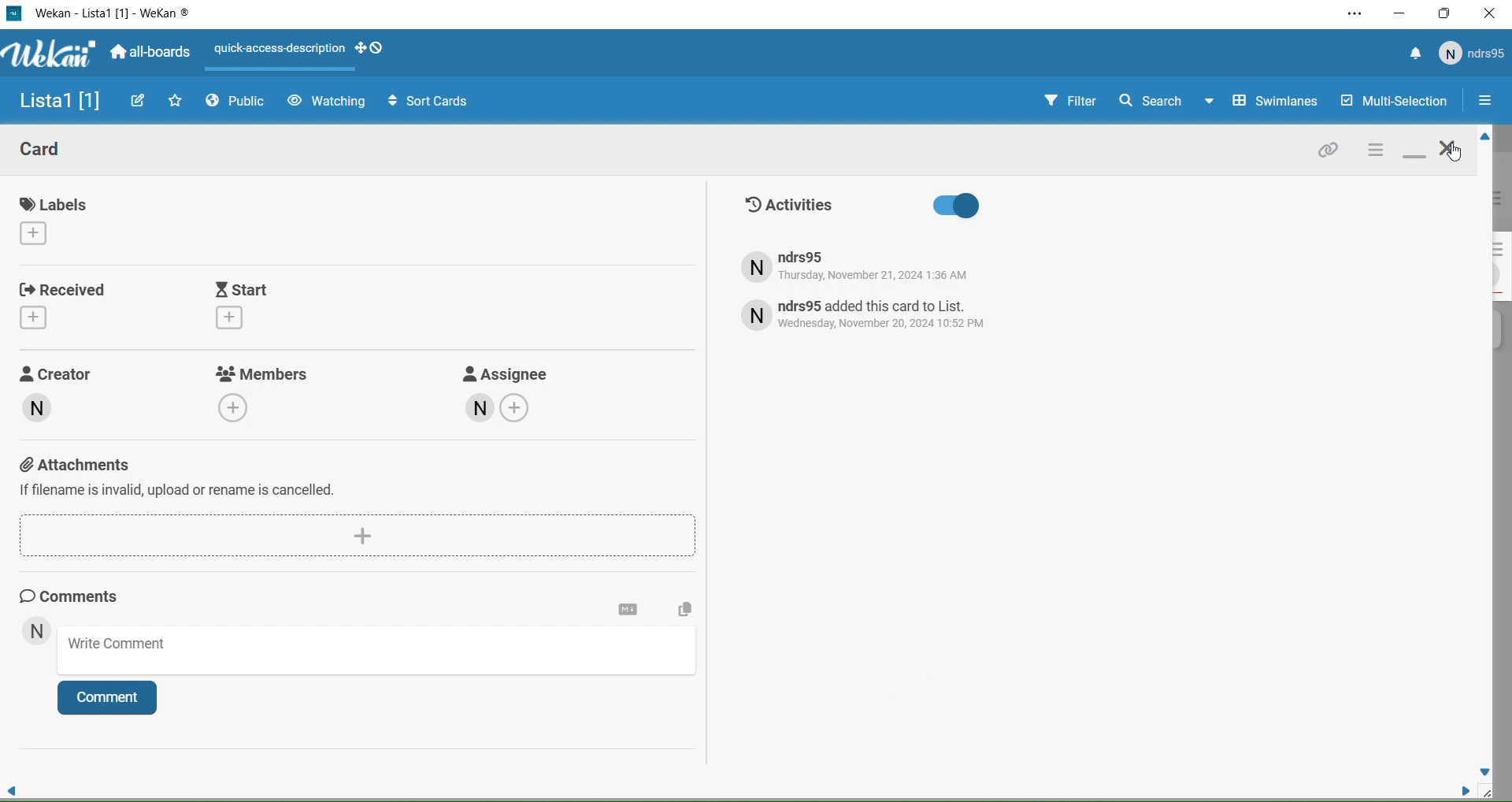  I want to click on Name, so click(55, 102).